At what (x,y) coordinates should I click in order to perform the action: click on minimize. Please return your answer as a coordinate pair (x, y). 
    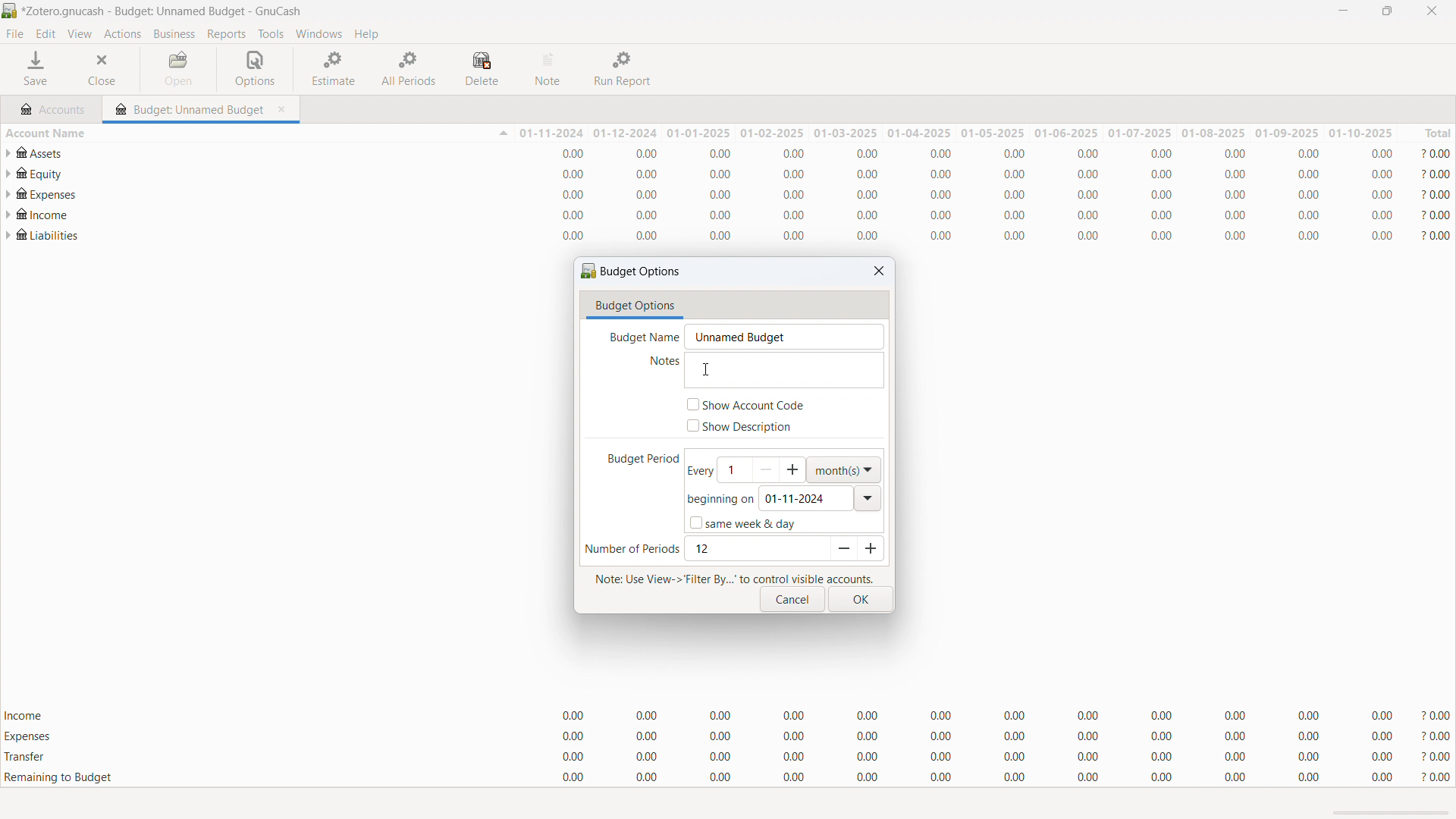
    Looking at the image, I should click on (1341, 11).